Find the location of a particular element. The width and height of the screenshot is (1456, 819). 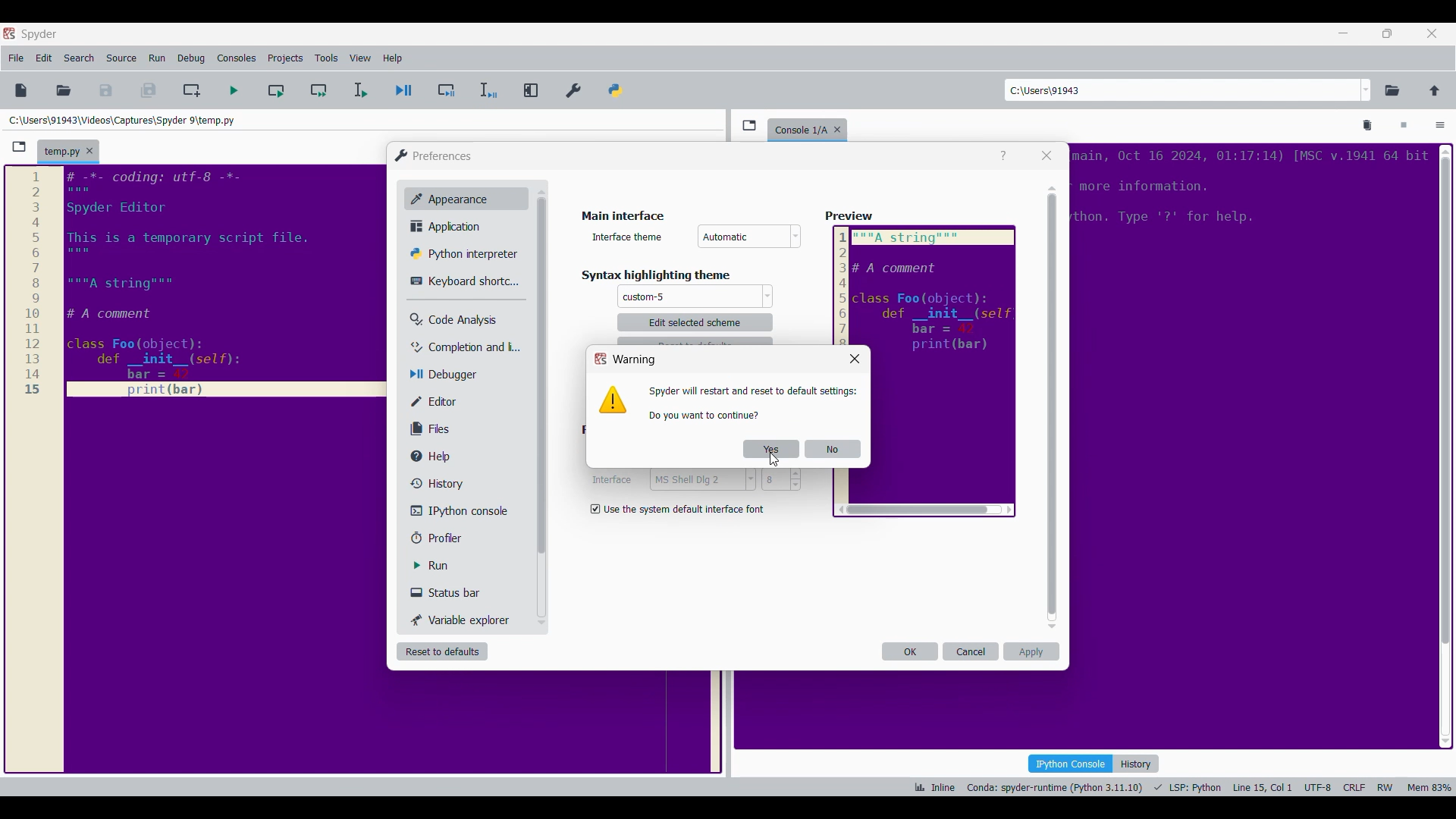

ik Inline is located at coordinates (930, 786).